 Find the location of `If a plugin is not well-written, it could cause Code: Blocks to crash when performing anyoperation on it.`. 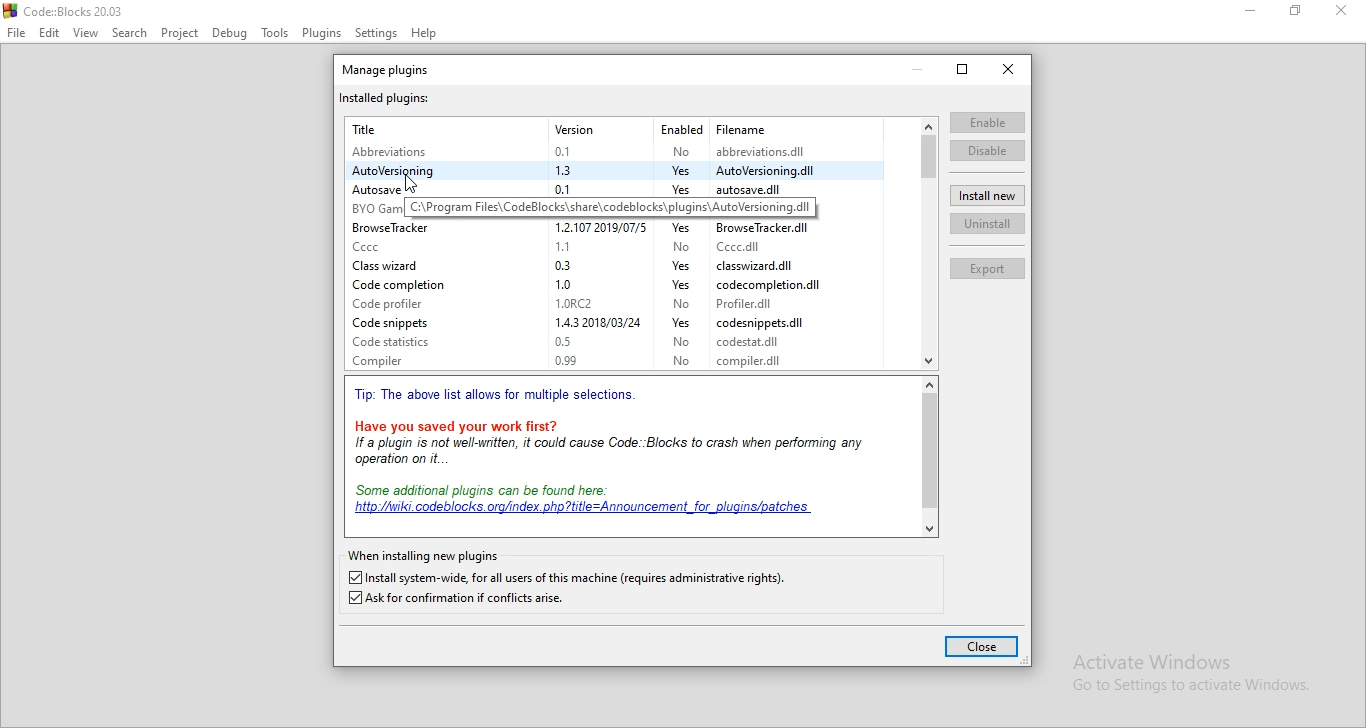

If a plugin is not well-written, it could cause Code: Blocks to crash when performing anyoperation on it. is located at coordinates (625, 451).